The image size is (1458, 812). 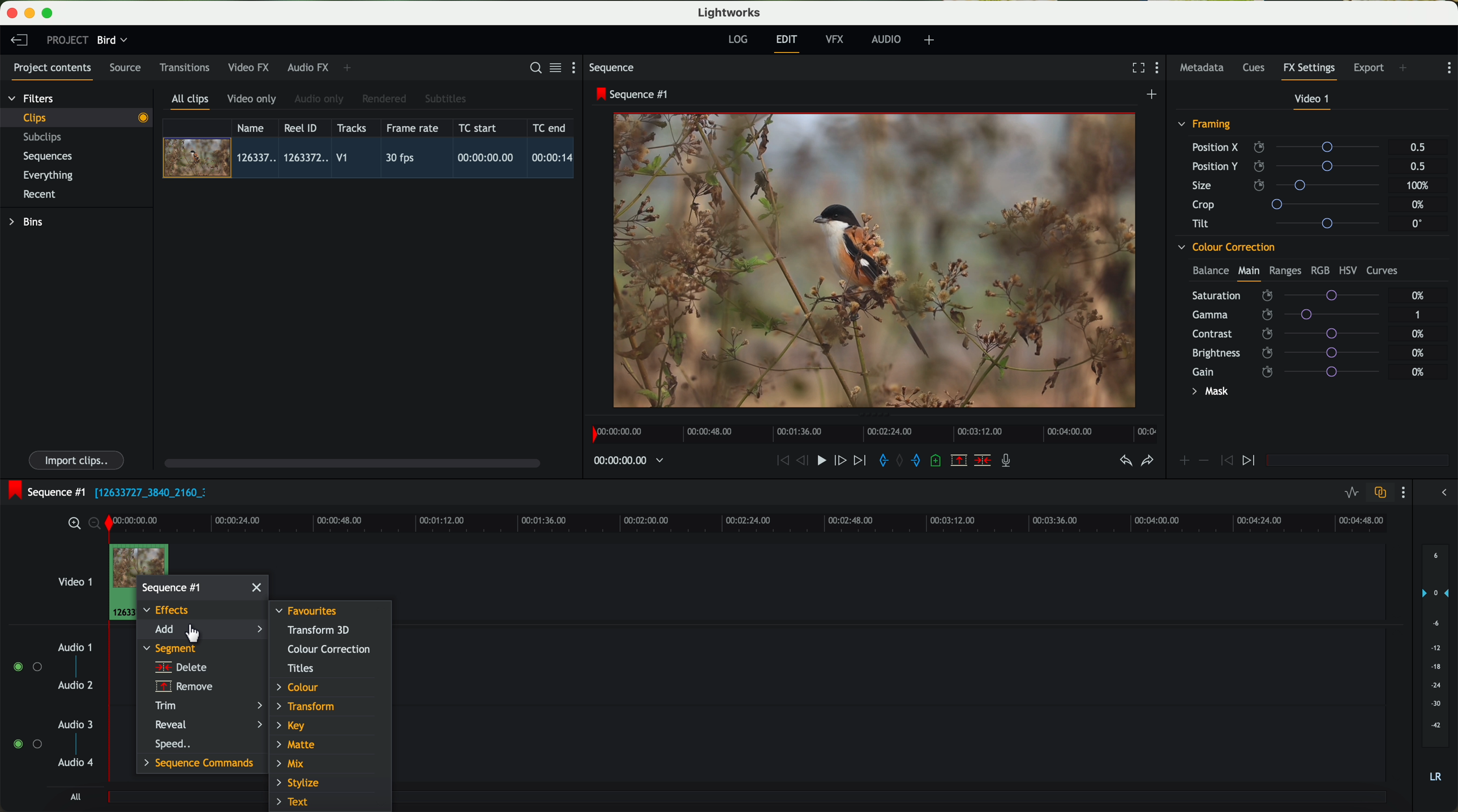 What do you see at coordinates (172, 587) in the screenshot?
I see `sequence #1` at bounding box center [172, 587].